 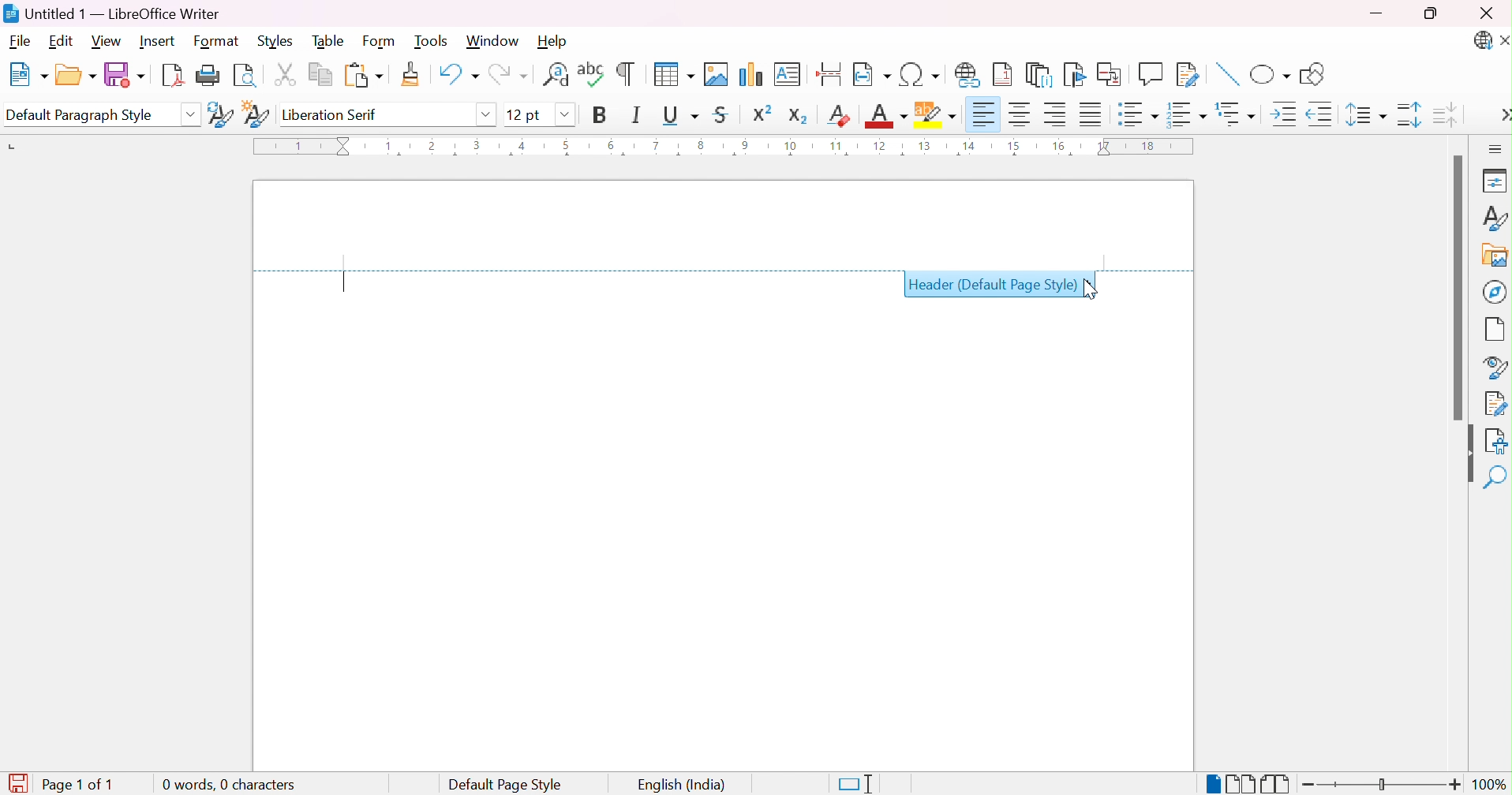 I want to click on Undo, so click(x=458, y=72).